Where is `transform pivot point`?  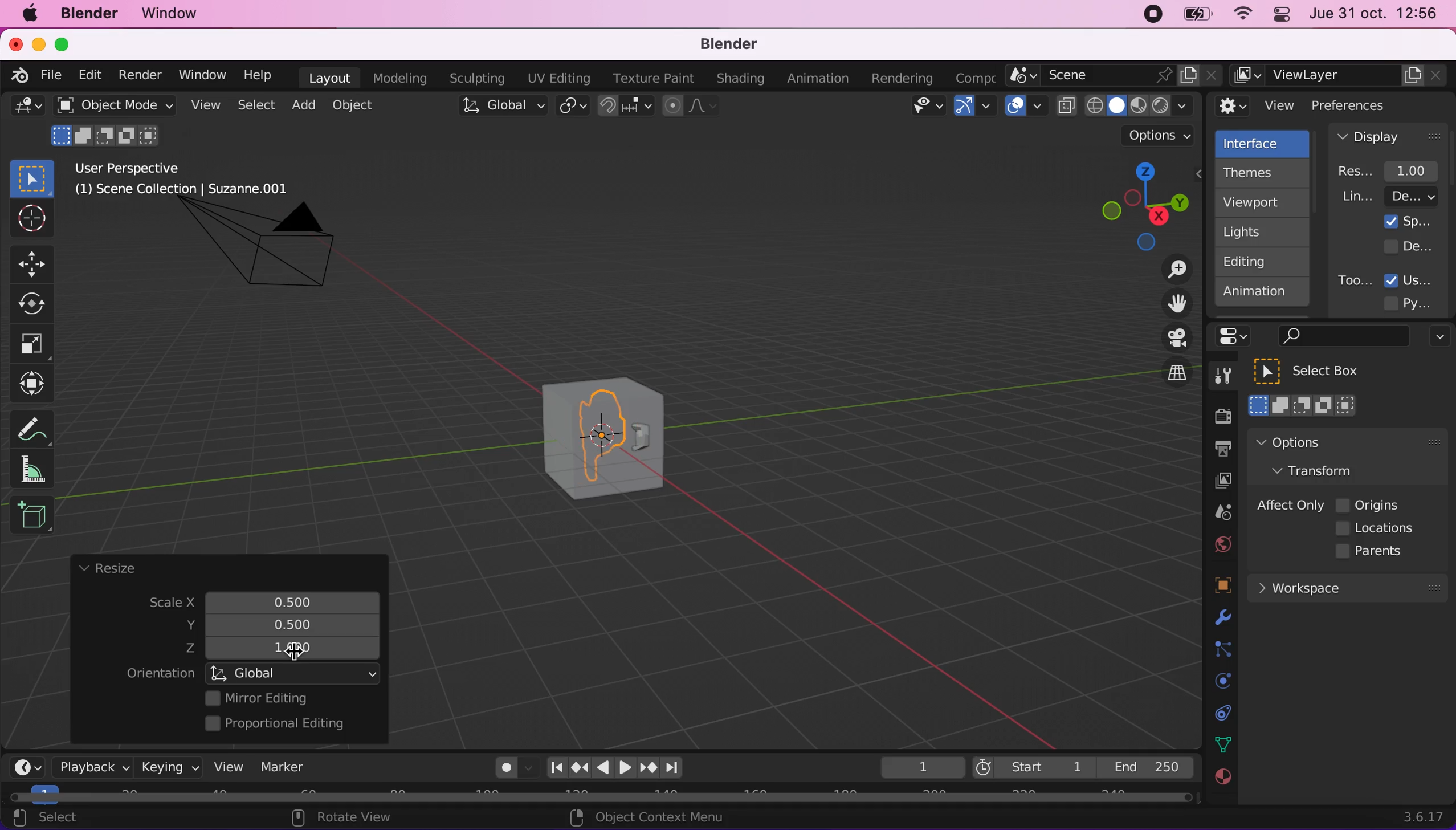
transform pivot point is located at coordinates (574, 107).